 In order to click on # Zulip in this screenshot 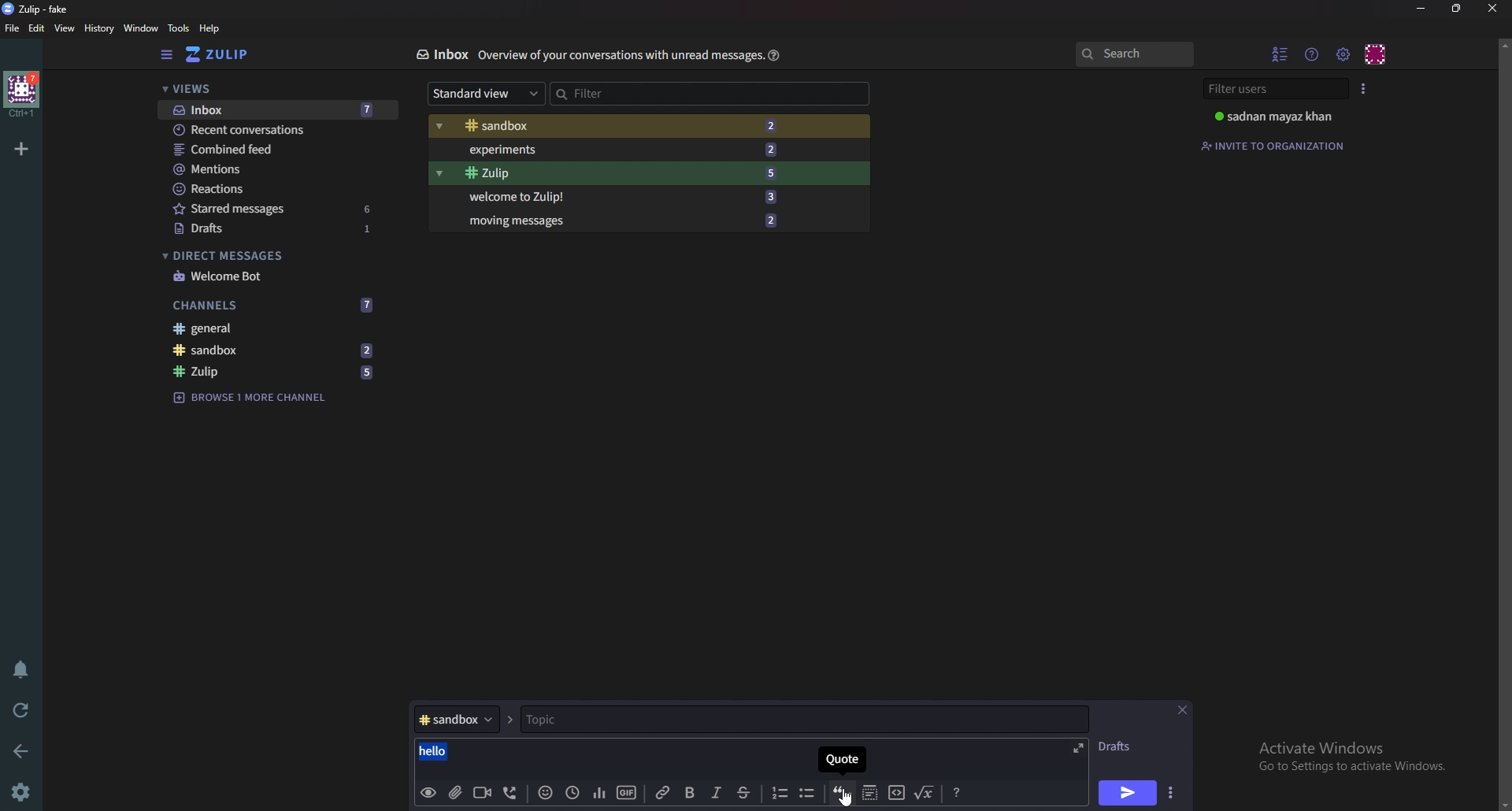, I will do `click(535, 174)`.